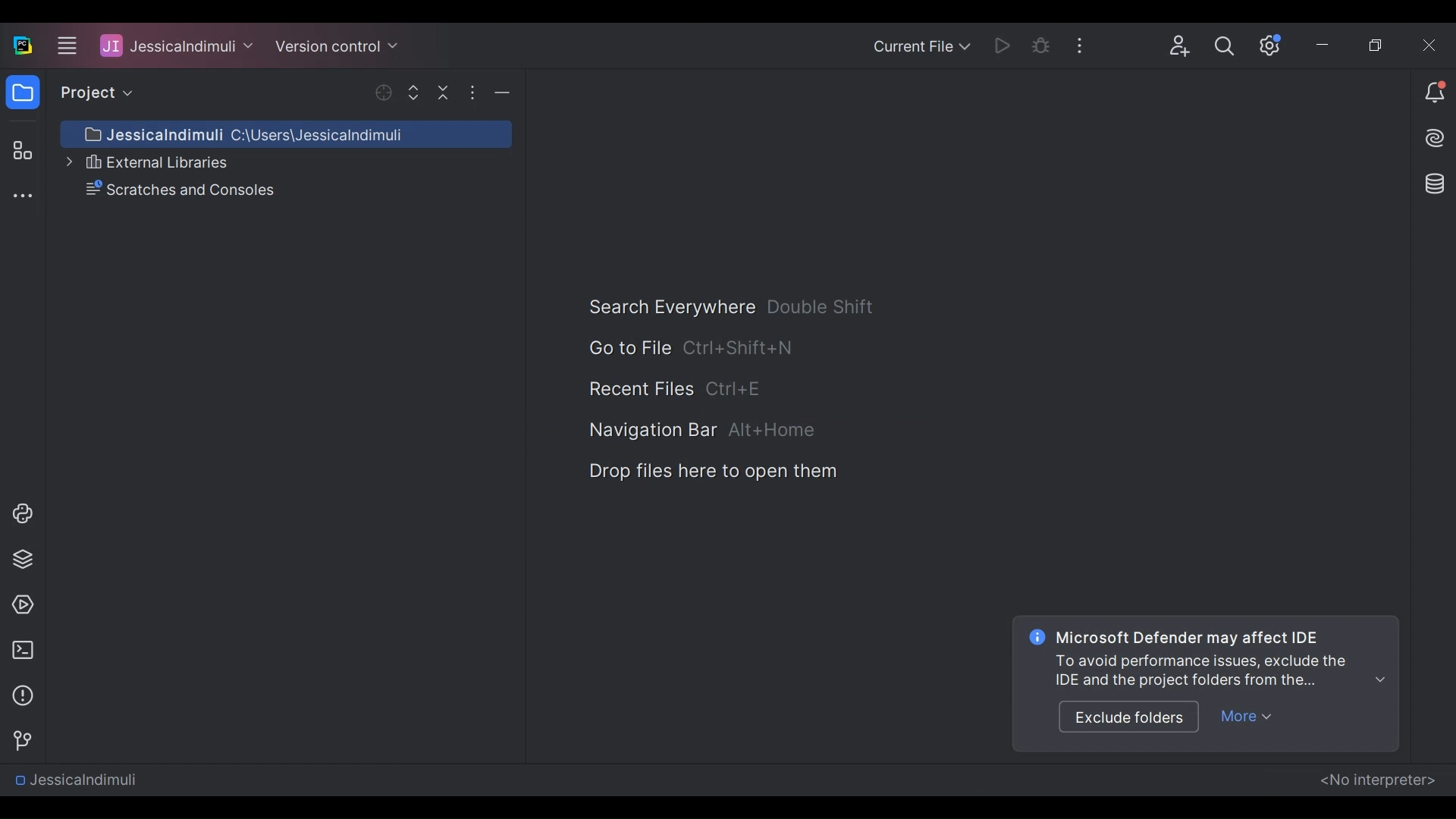 Image resolution: width=1456 pixels, height=819 pixels. What do you see at coordinates (1227, 49) in the screenshot?
I see `Search` at bounding box center [1227, 49].